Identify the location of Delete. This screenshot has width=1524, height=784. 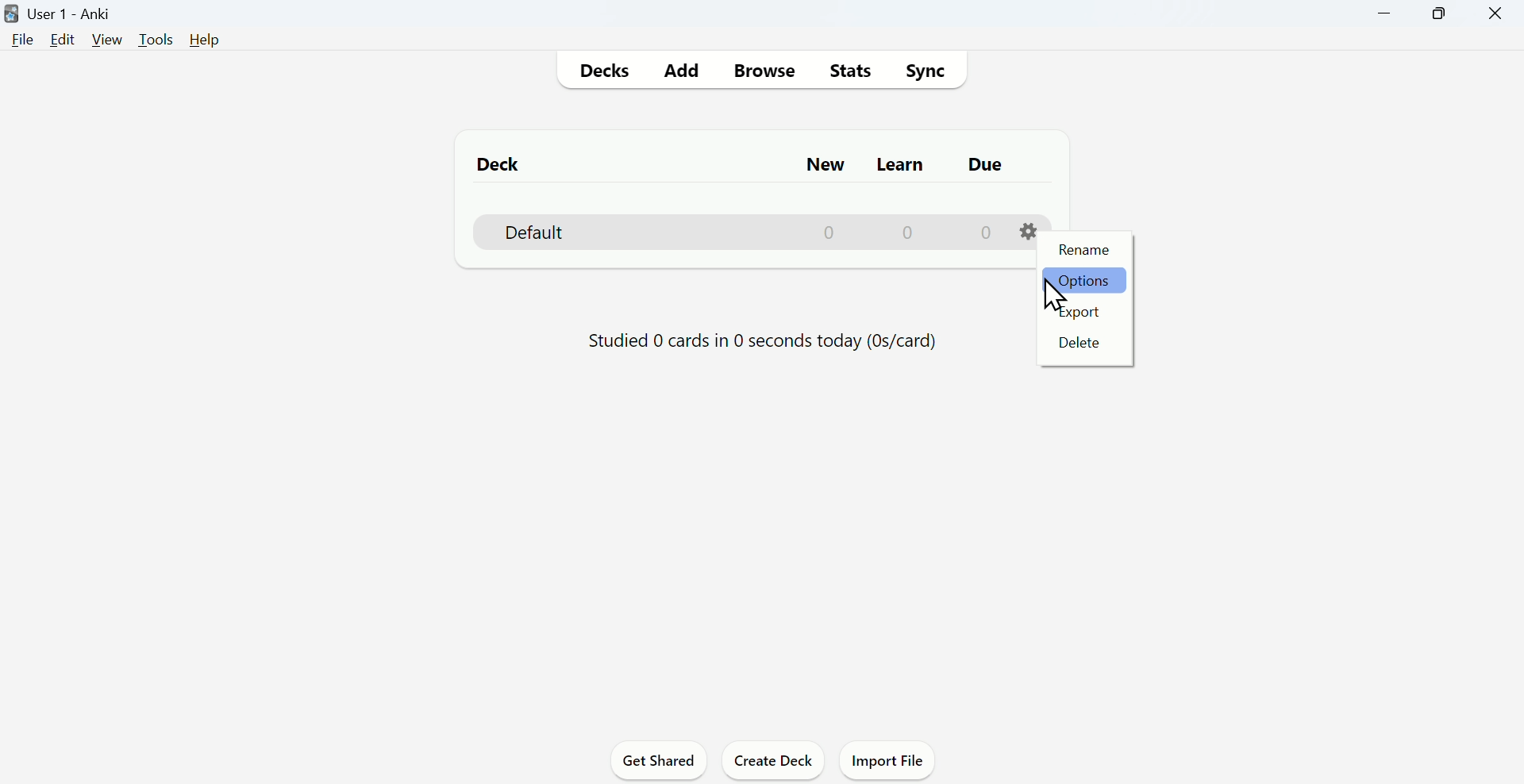
(1081, 347).